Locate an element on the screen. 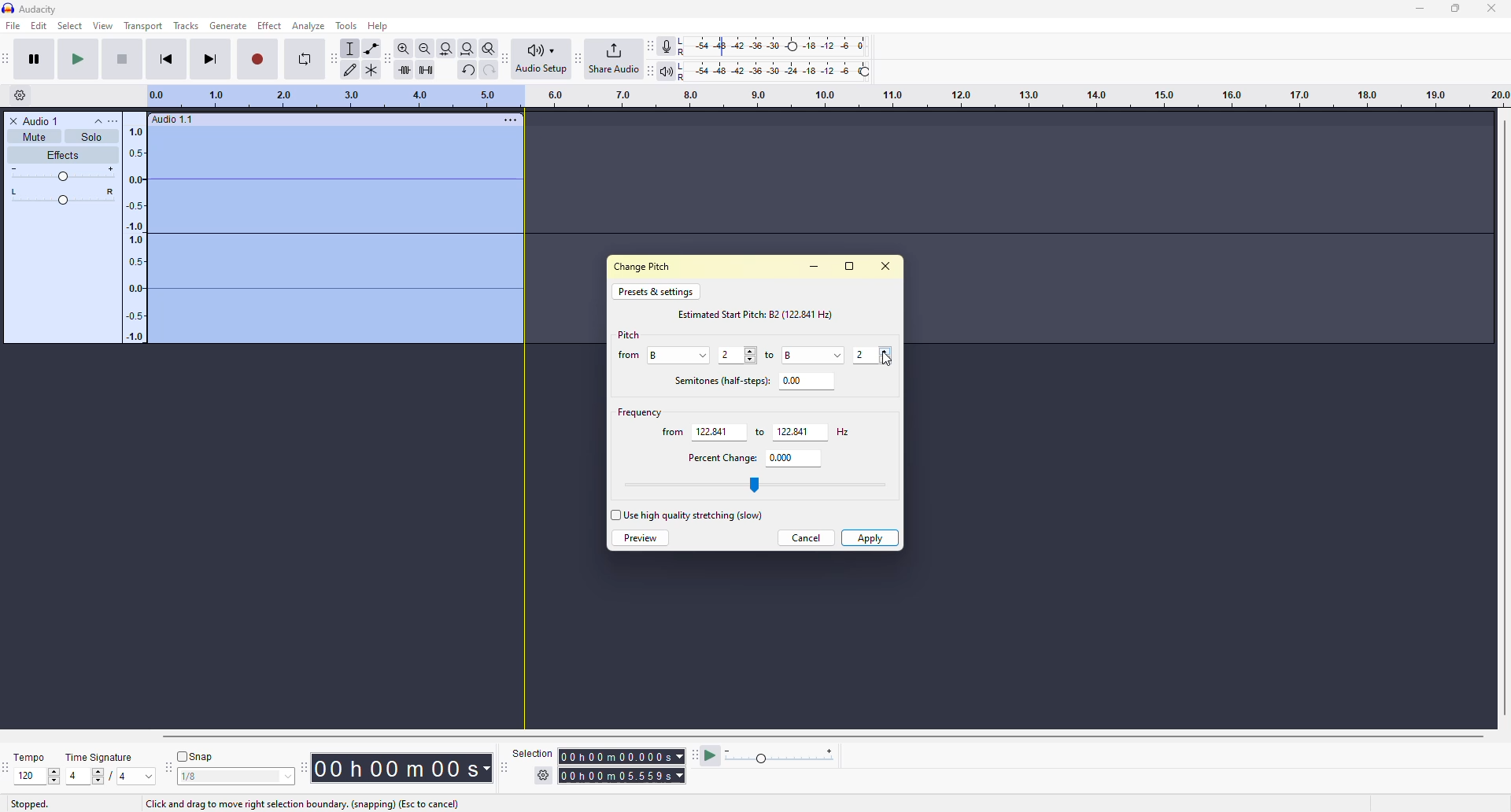 The height and width of the screenshot is (812, 1511). apply is located at coordinates (873, 536).